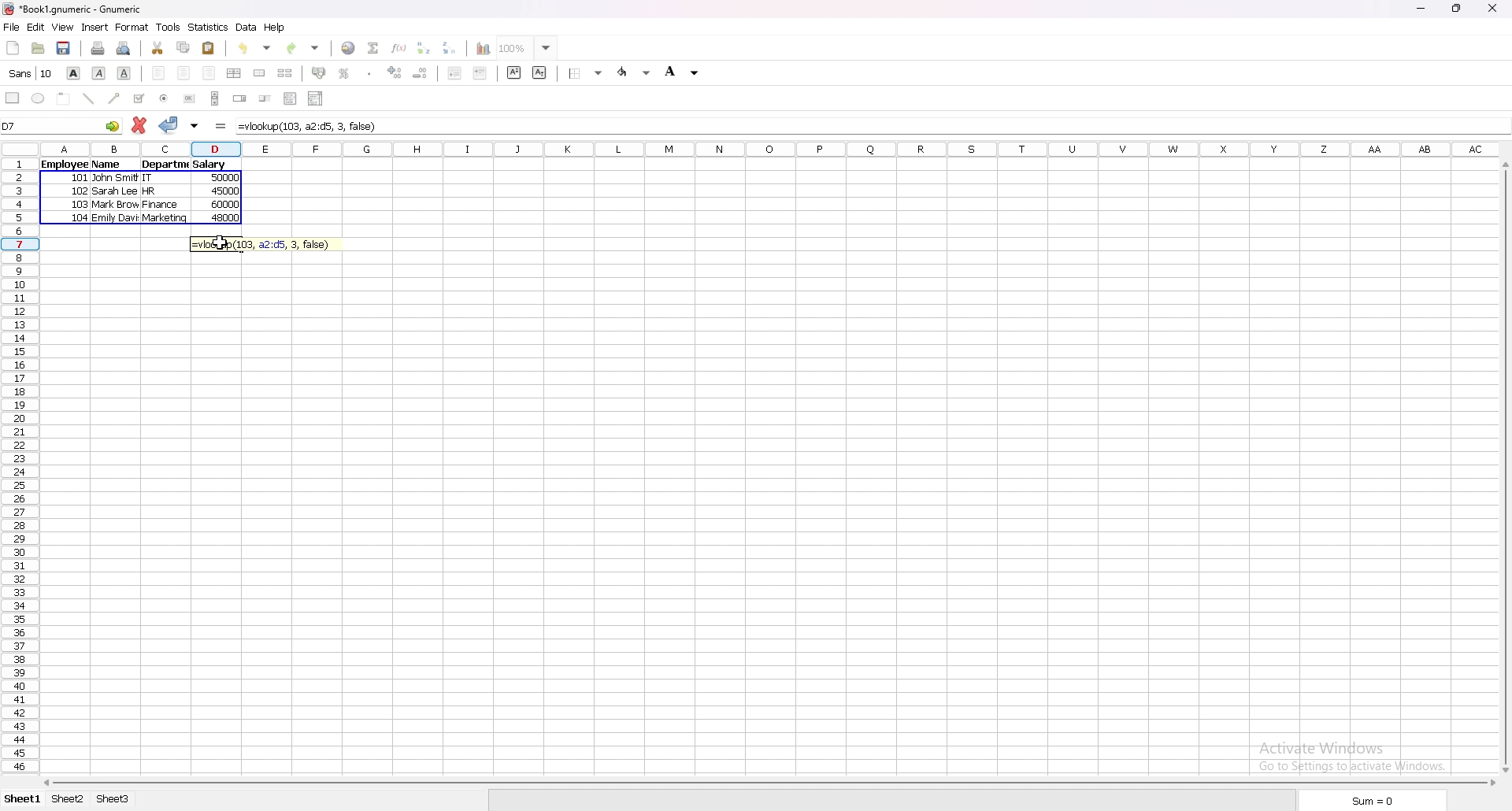 This screenshot has height=811, width=1512. I want to click on undo, so click(255, 48).